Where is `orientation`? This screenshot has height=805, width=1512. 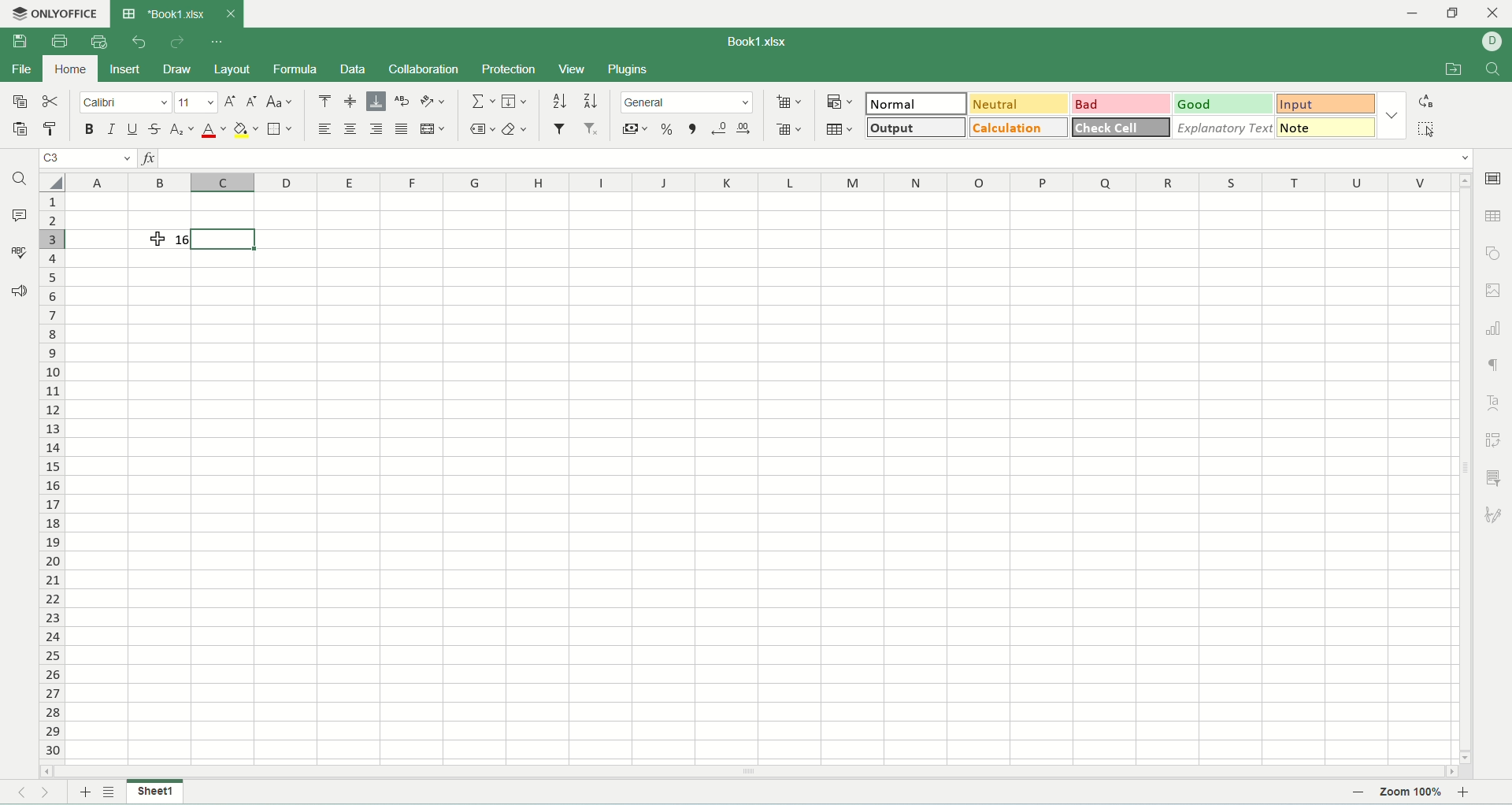 orientation is located at coordinates (433, 101).